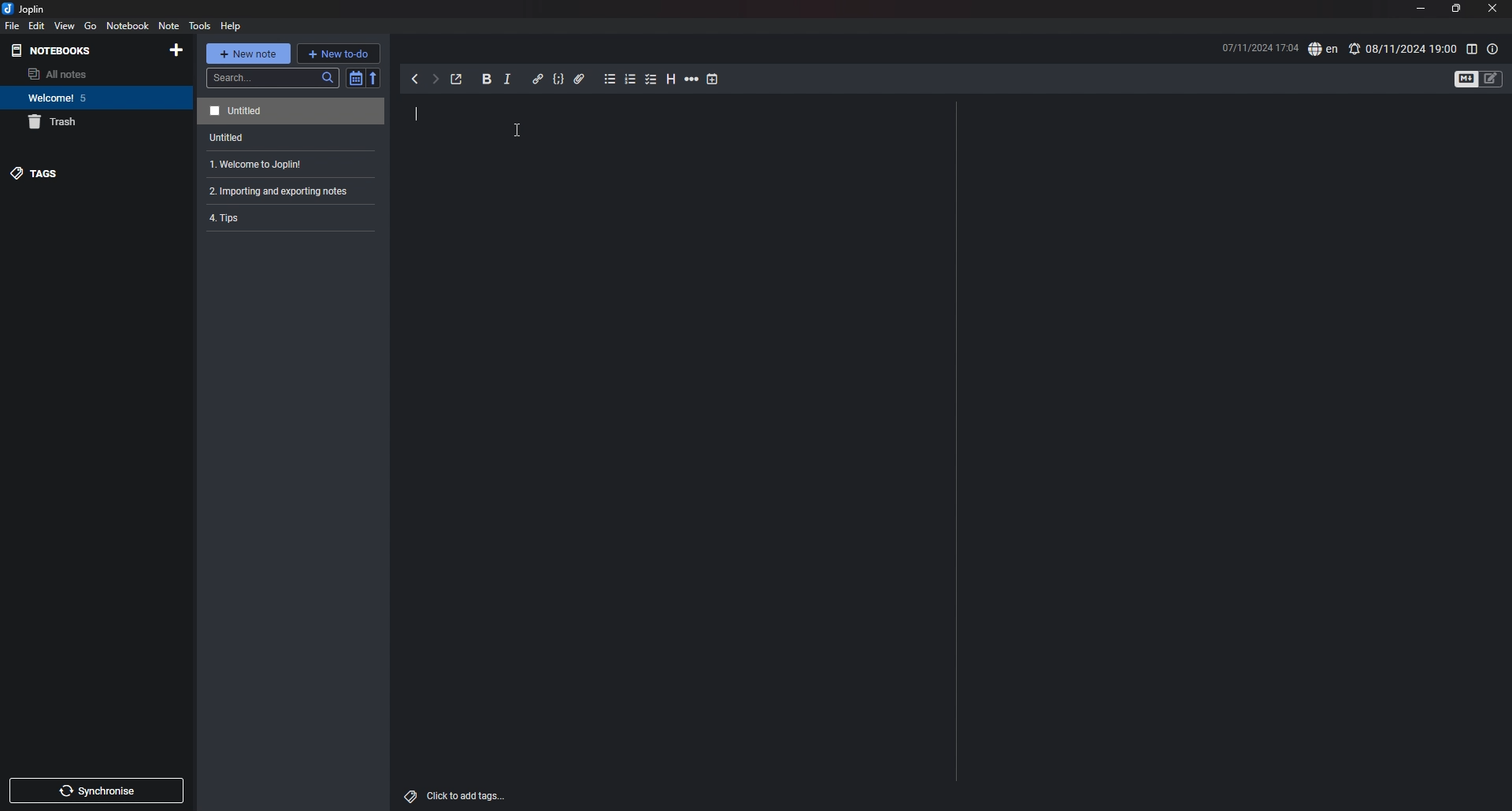 The image size is (1512, 811). What do you see at coordinates (693, 79) in the screenshot?
I see `horizontal rule` at bounding box center [693, 79].